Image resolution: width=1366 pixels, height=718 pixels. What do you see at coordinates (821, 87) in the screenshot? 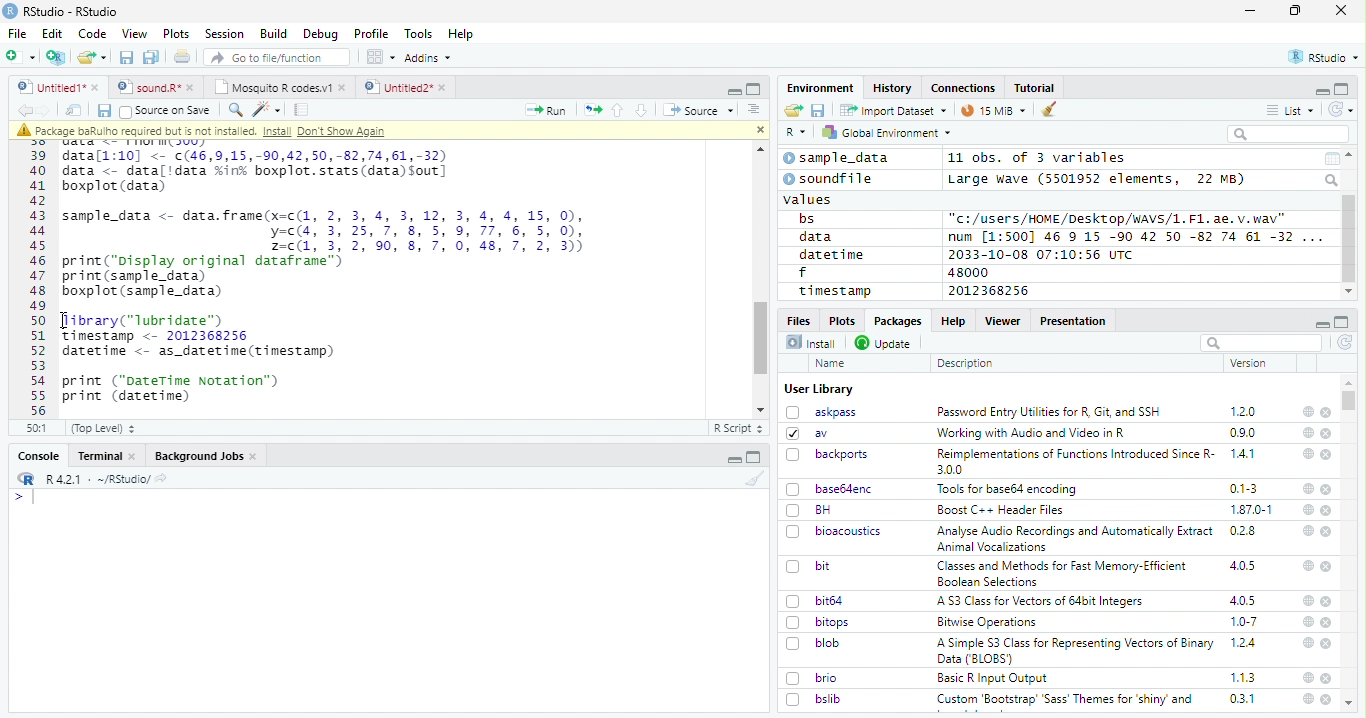
I see `Environment` at bounding box center [821, 87].